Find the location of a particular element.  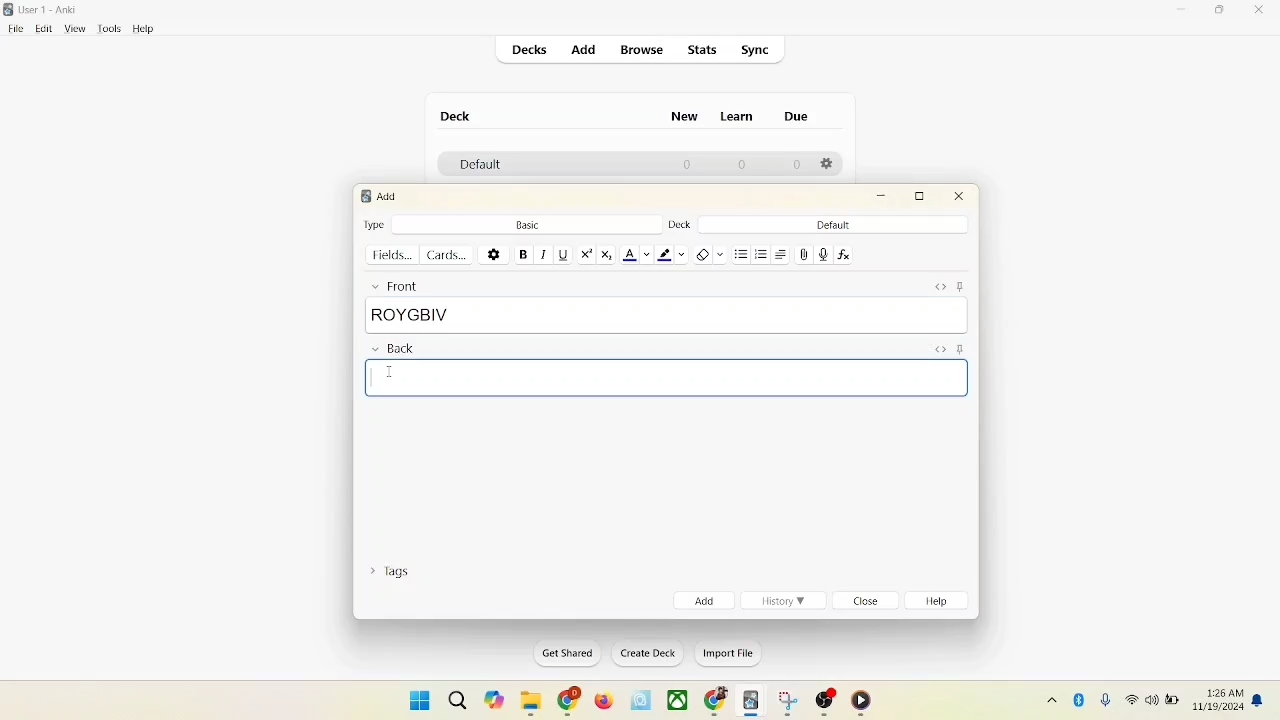

Options is located at coordinates (829, 165).